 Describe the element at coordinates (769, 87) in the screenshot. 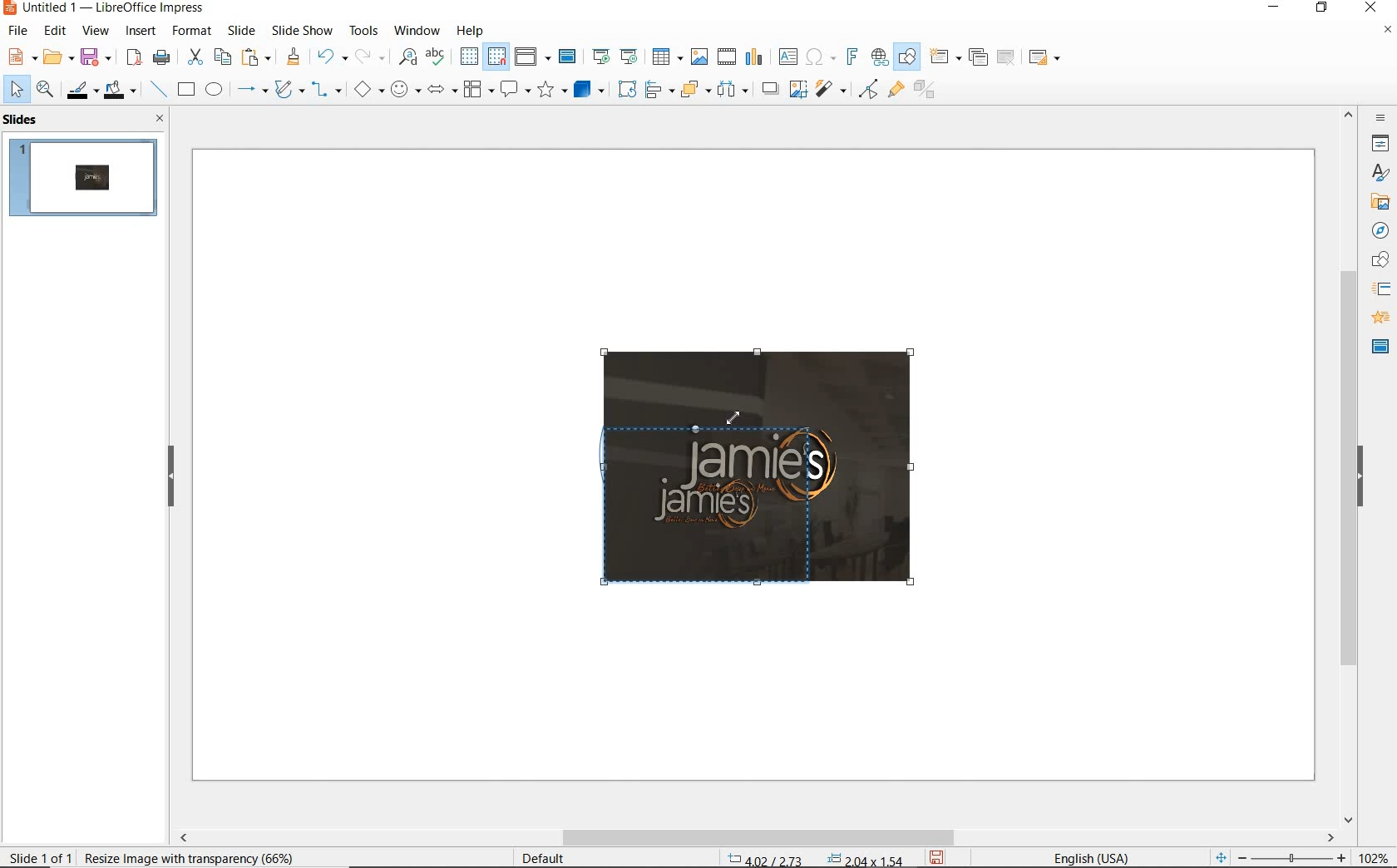

I see `shadow` at that location.